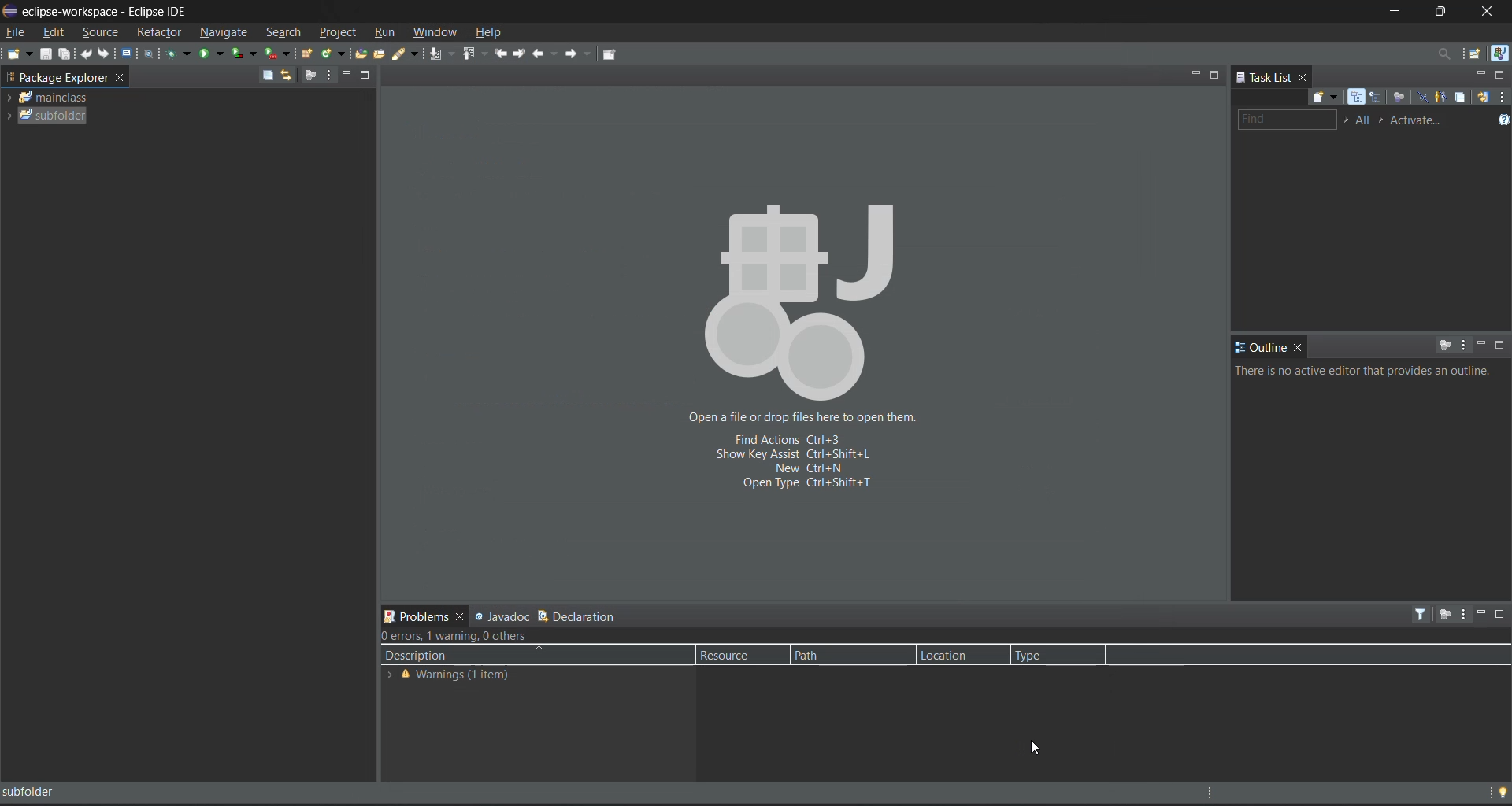 The image size is (1512, 806). What do you see at coordinates (55, 31) in the screenshot?
I see `edit` at bounding box center [55, 31].